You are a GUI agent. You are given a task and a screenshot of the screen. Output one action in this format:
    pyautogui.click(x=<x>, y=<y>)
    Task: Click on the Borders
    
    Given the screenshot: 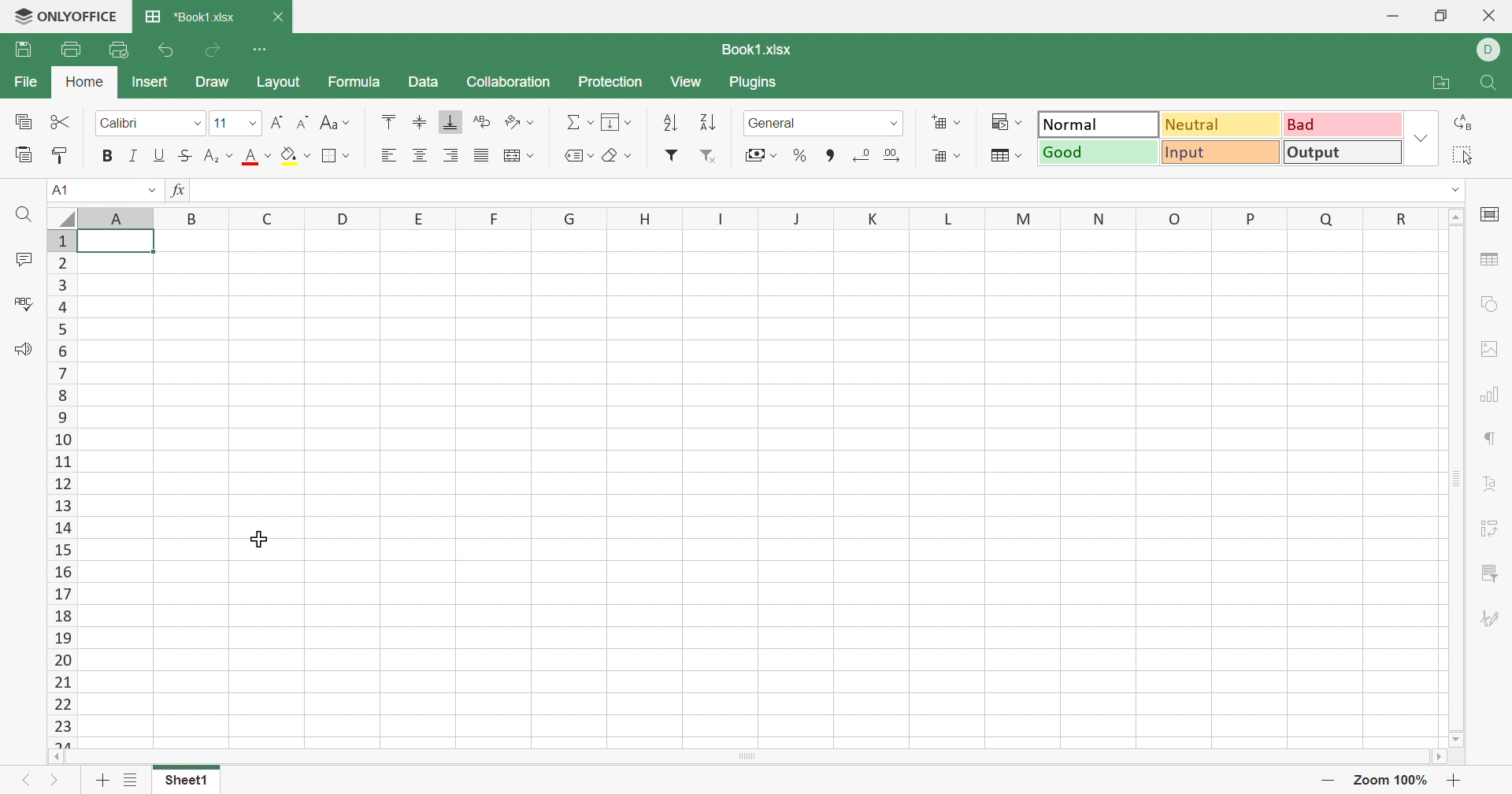 What is the action you would take?
    pyautogui.click(x=339, y=155)
    